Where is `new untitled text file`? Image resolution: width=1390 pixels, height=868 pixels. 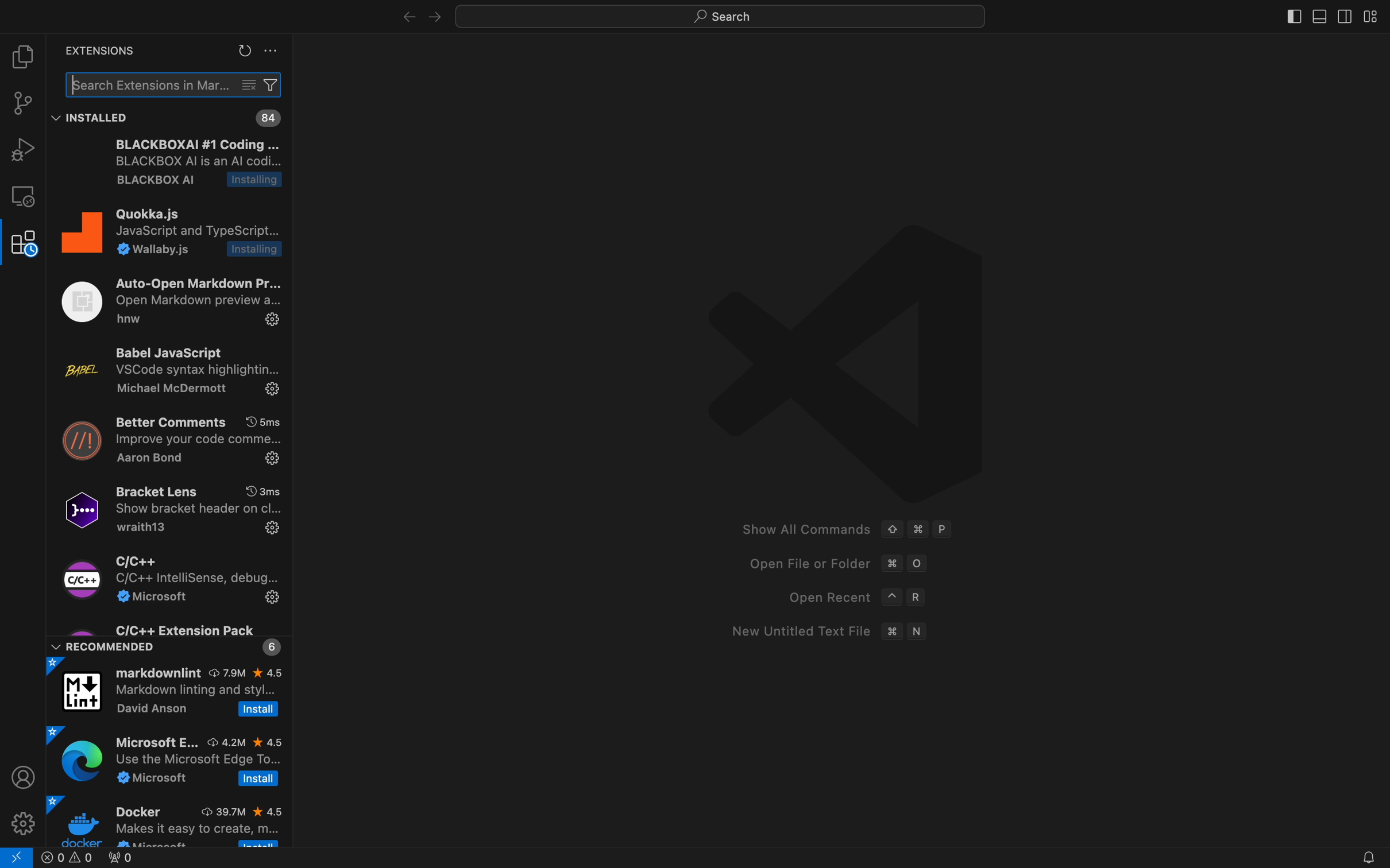
new untitled text file is located at coordinates (826, 632).